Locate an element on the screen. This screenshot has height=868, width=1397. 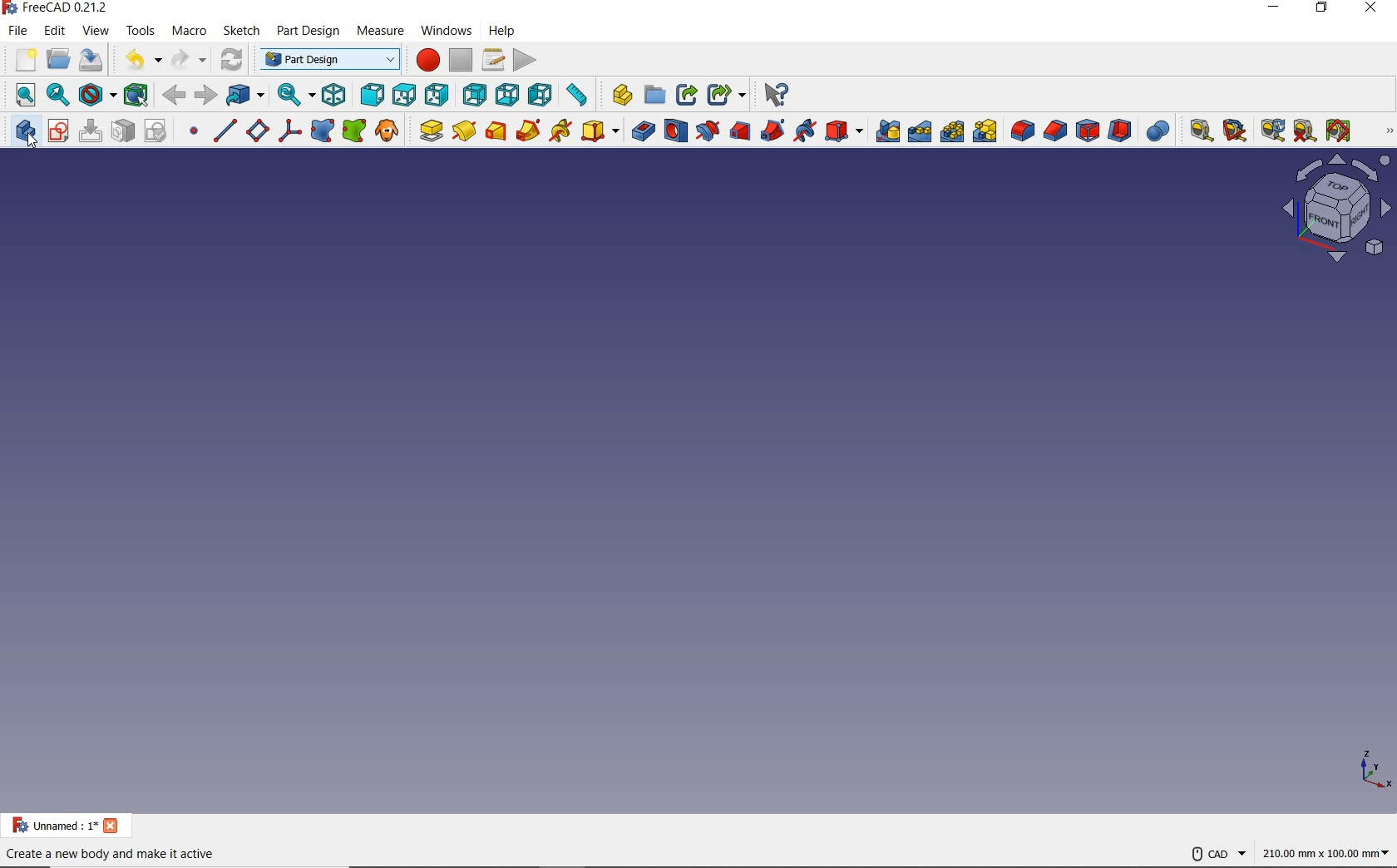
Help is located at coordinates (502, 32).